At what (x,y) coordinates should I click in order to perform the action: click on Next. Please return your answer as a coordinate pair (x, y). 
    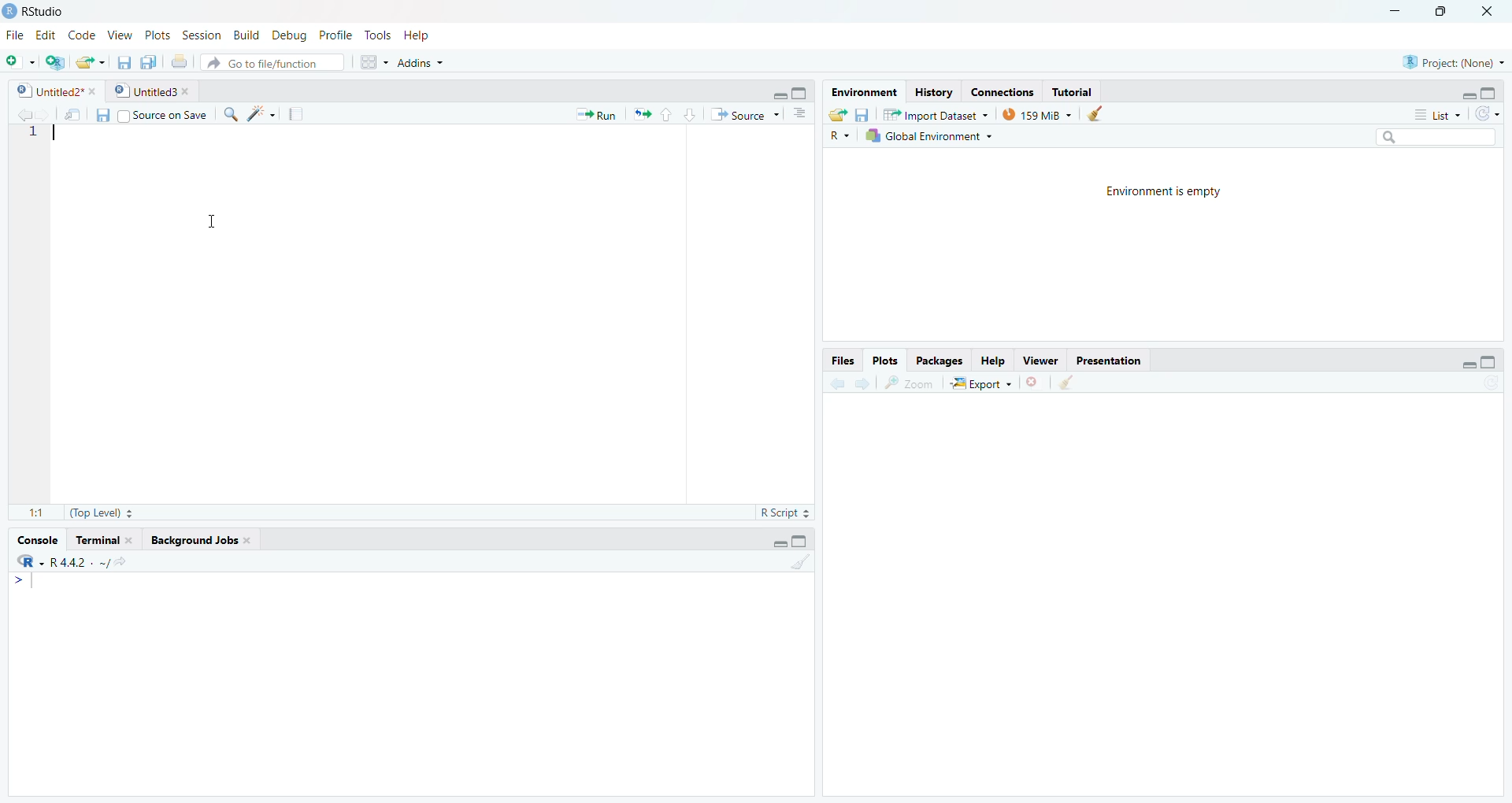
    Looking at the image, I should click on (862, 383).